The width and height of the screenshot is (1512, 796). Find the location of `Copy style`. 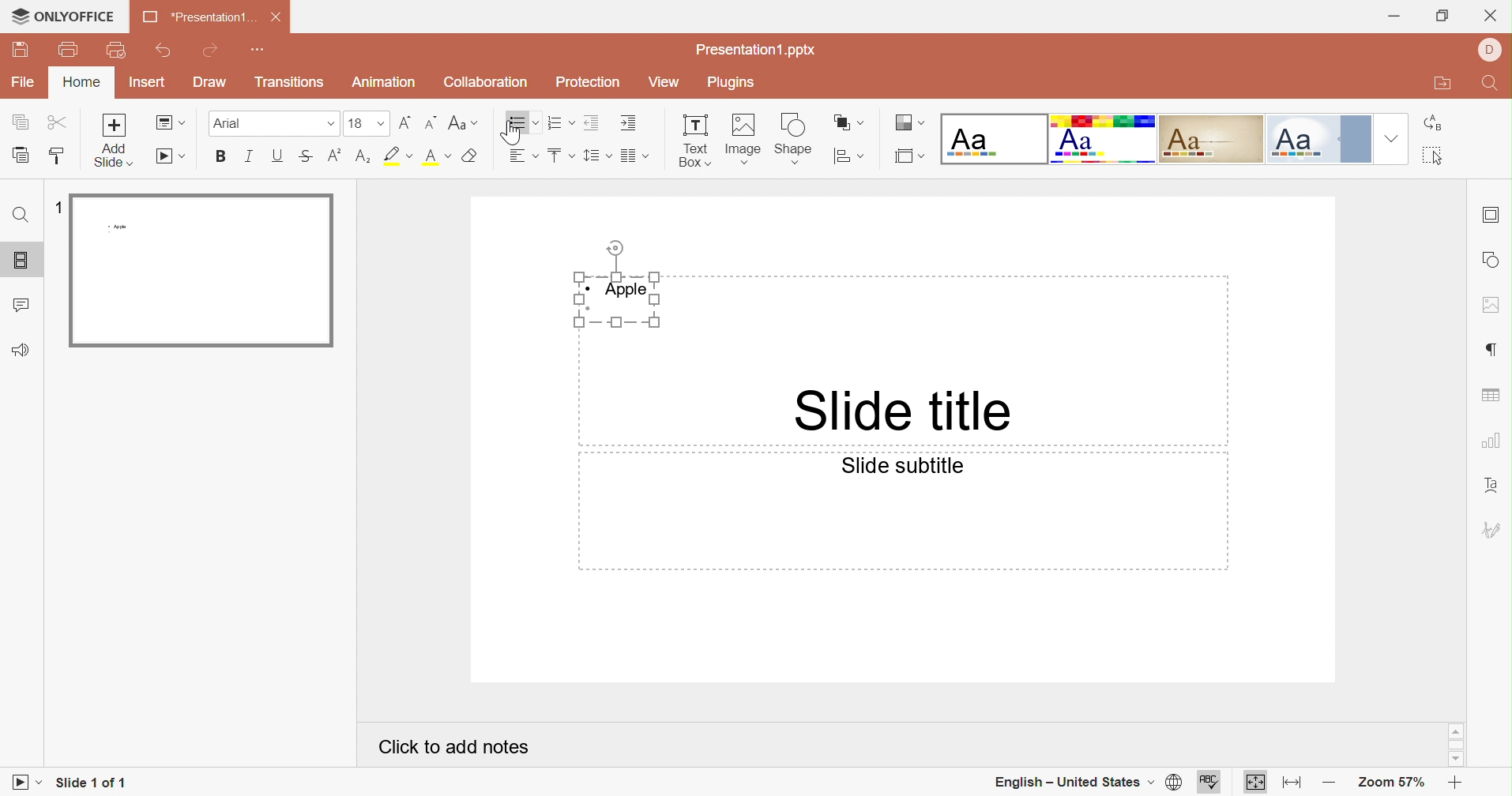

Copy style is located at coordinates (58, 160).